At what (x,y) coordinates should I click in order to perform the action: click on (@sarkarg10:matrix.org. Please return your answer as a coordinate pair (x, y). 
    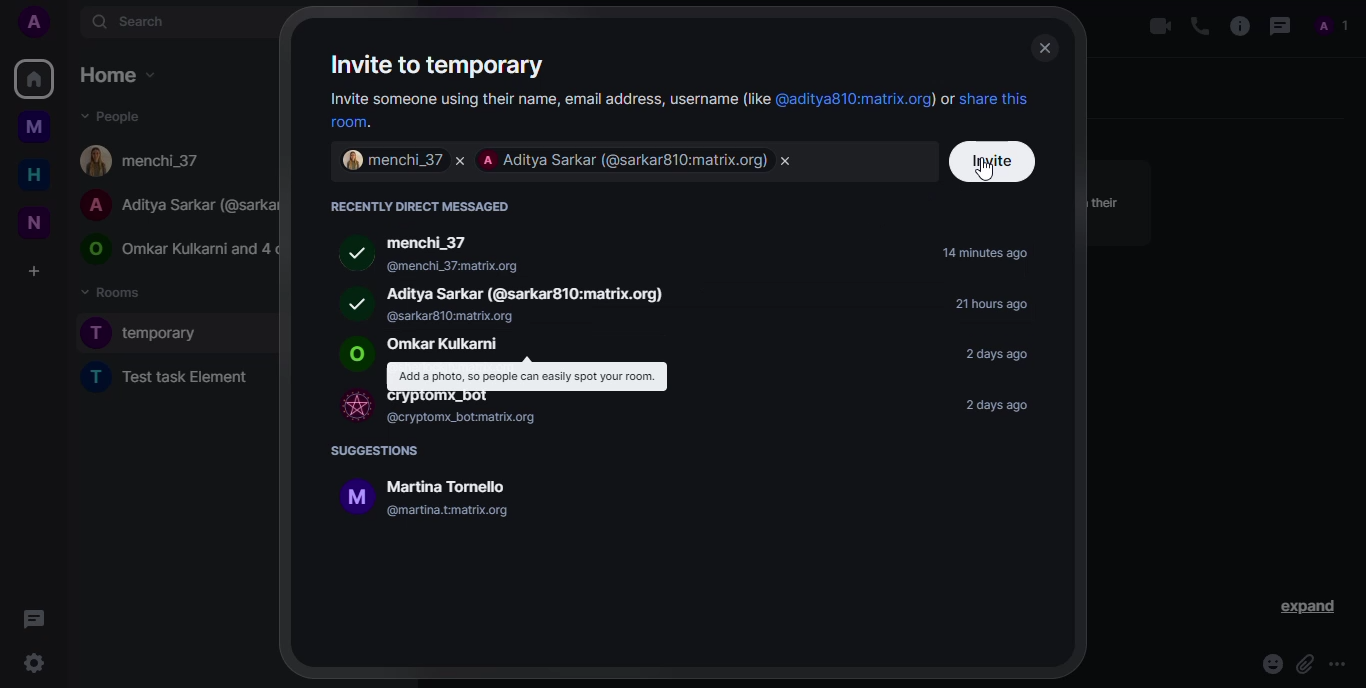
    Looking at the image, I should click on (456, 317).